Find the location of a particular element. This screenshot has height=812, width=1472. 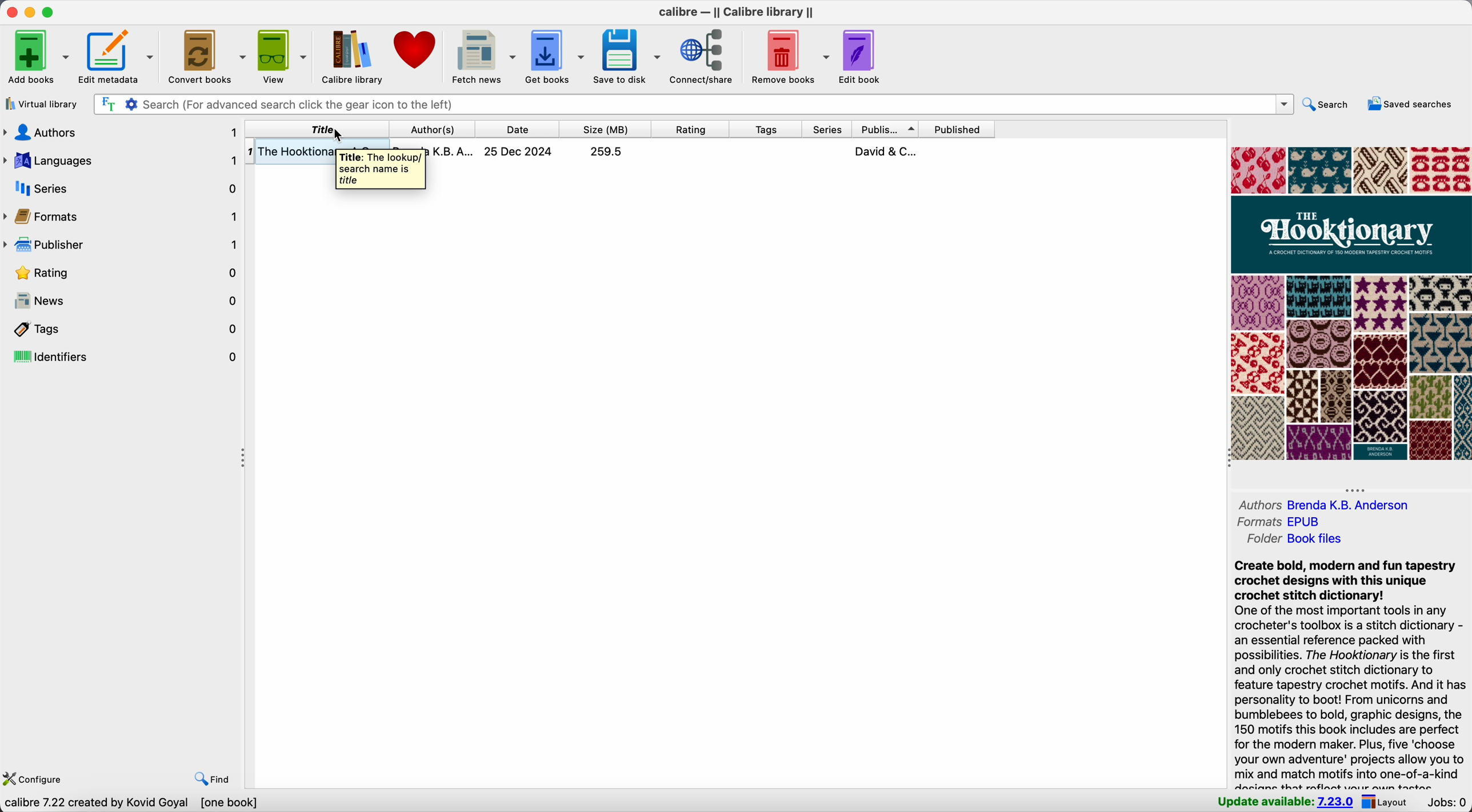

folder Book files is located at coordinates (1294, 539).